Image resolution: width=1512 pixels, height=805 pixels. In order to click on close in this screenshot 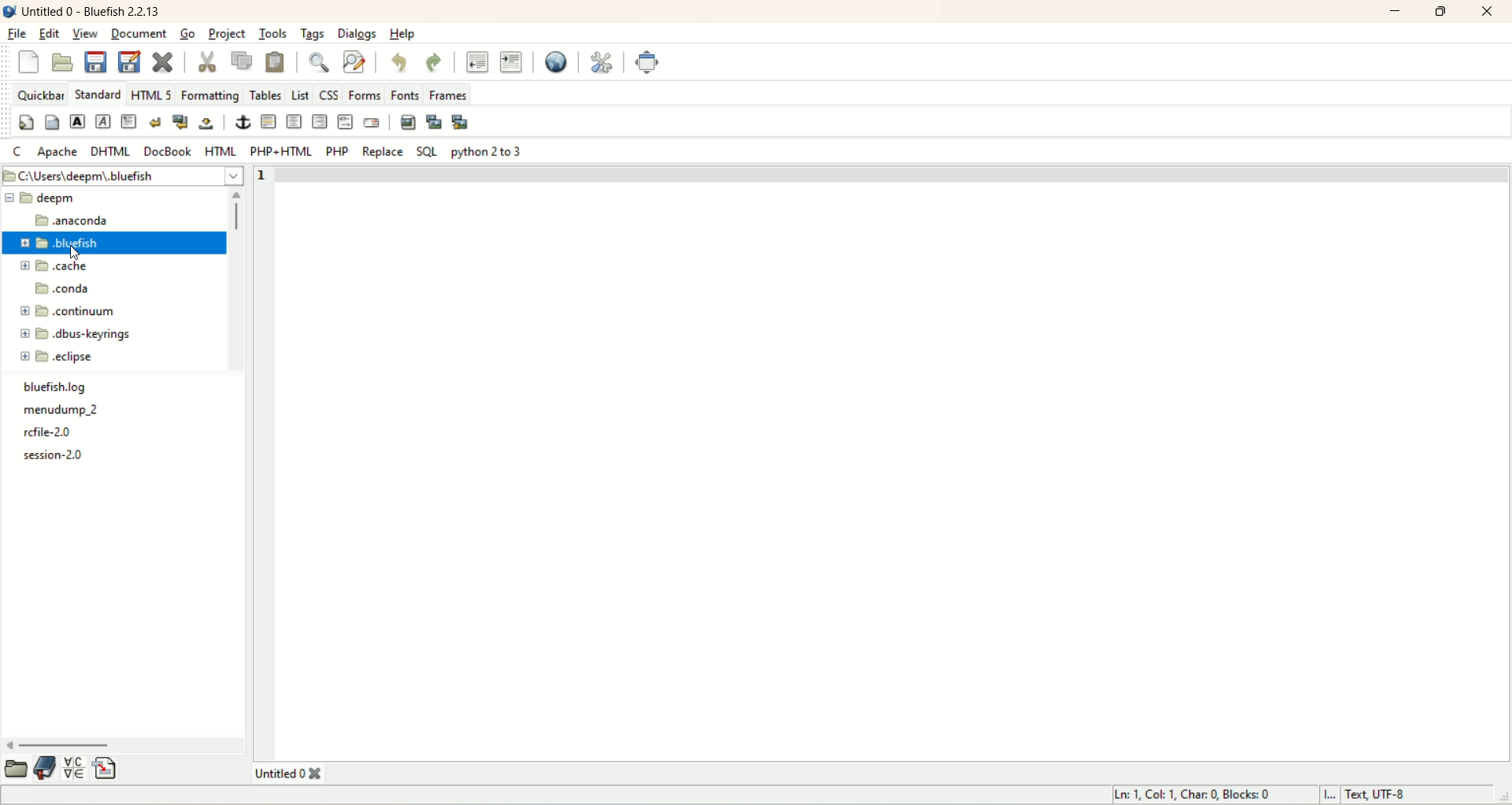, I will do `click(1485, 13)`.